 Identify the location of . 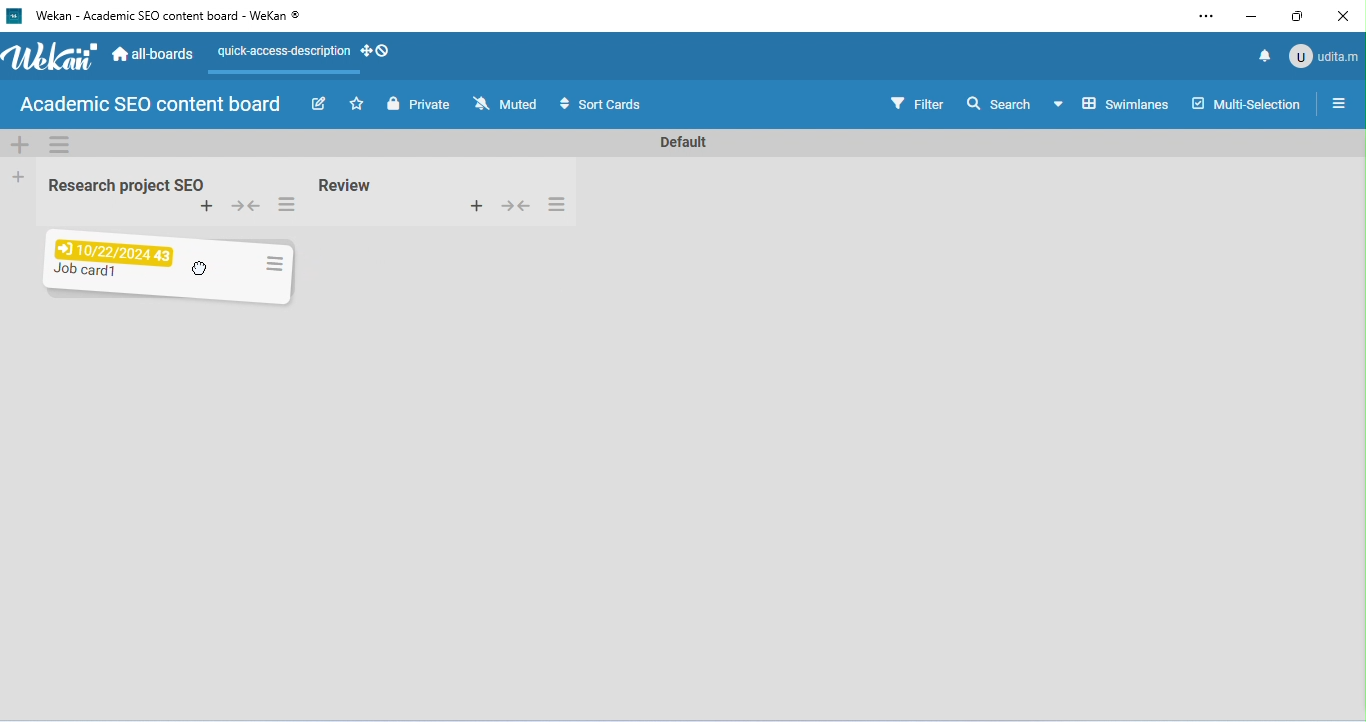
(514, 204).